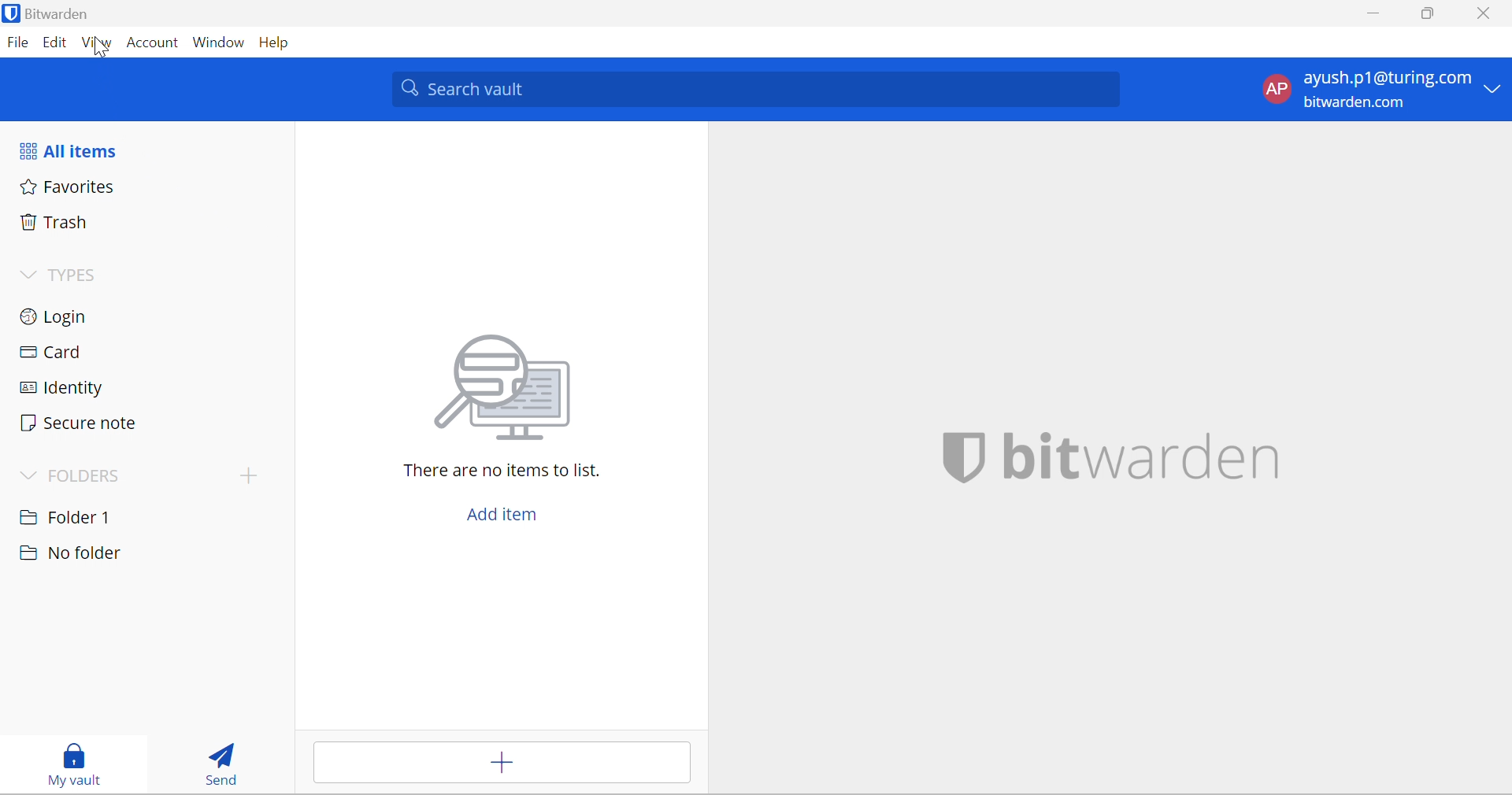 The width and height of the screenshot is (1512, 795). Describe the element at coordinates (1433, 14) in the screenshot. I see `resize` at that location.